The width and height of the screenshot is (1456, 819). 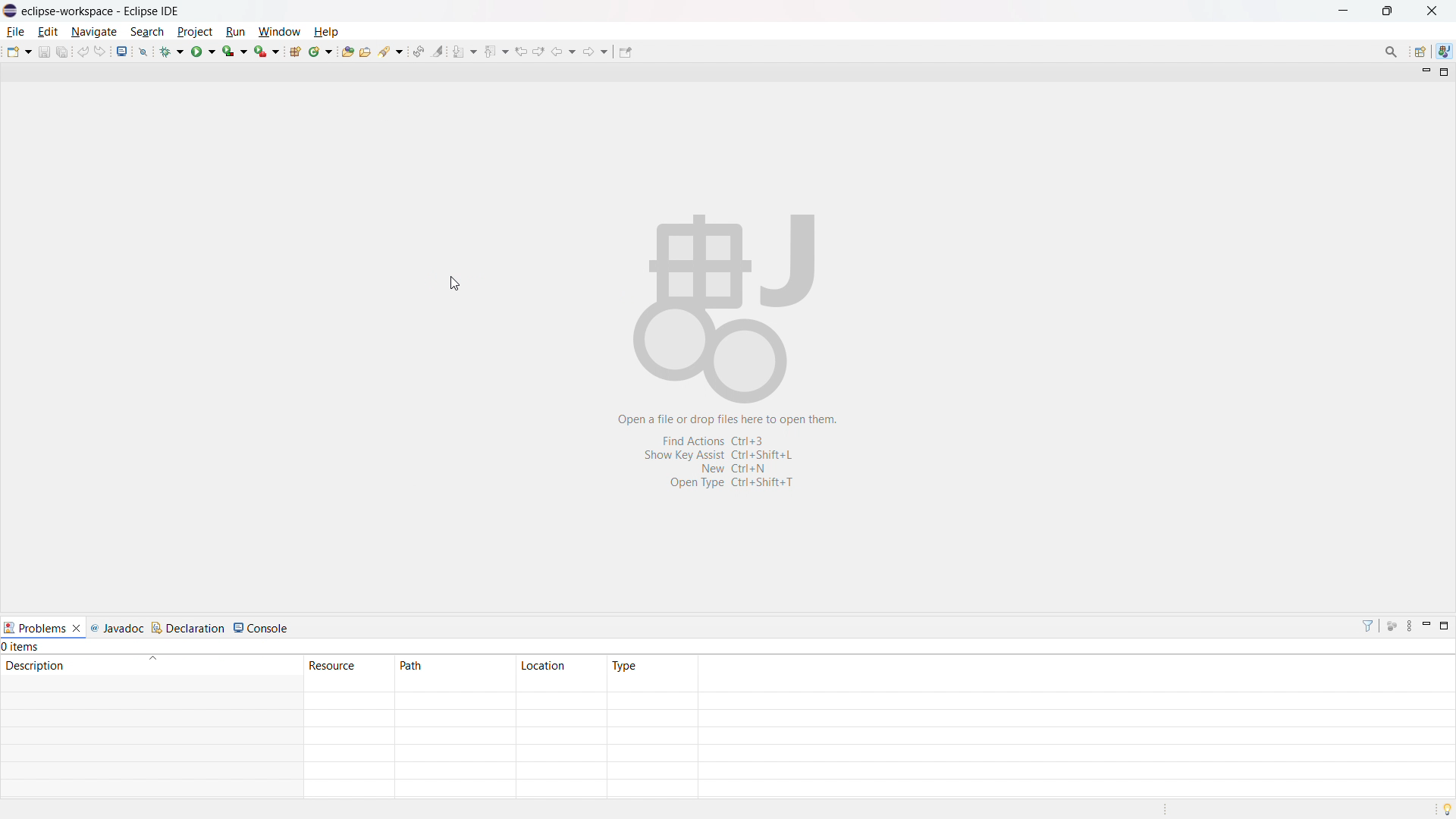 What do you see at coordinates (190, 629) in the screenshot?
I see `declaration` at bounding box center [190, 629].